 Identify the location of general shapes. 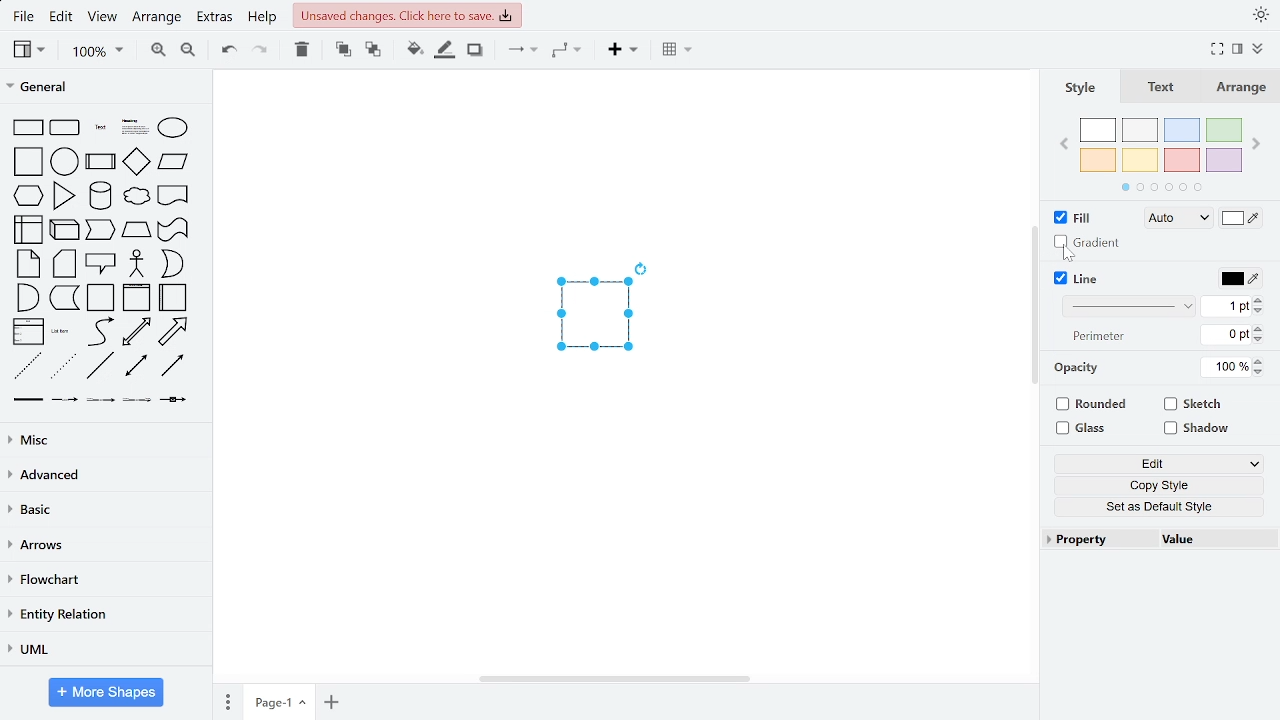
(63, 330).